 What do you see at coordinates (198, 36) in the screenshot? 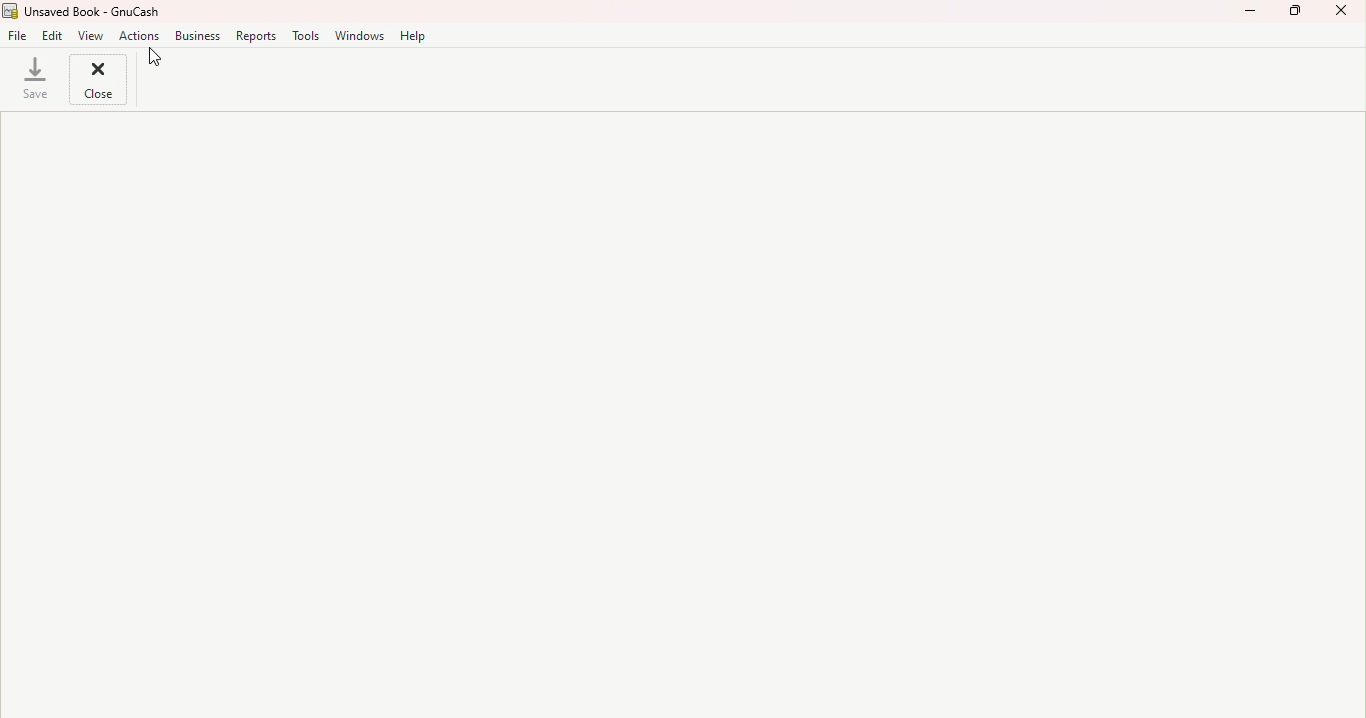
I see `Business` at bounding box center [198, 36].